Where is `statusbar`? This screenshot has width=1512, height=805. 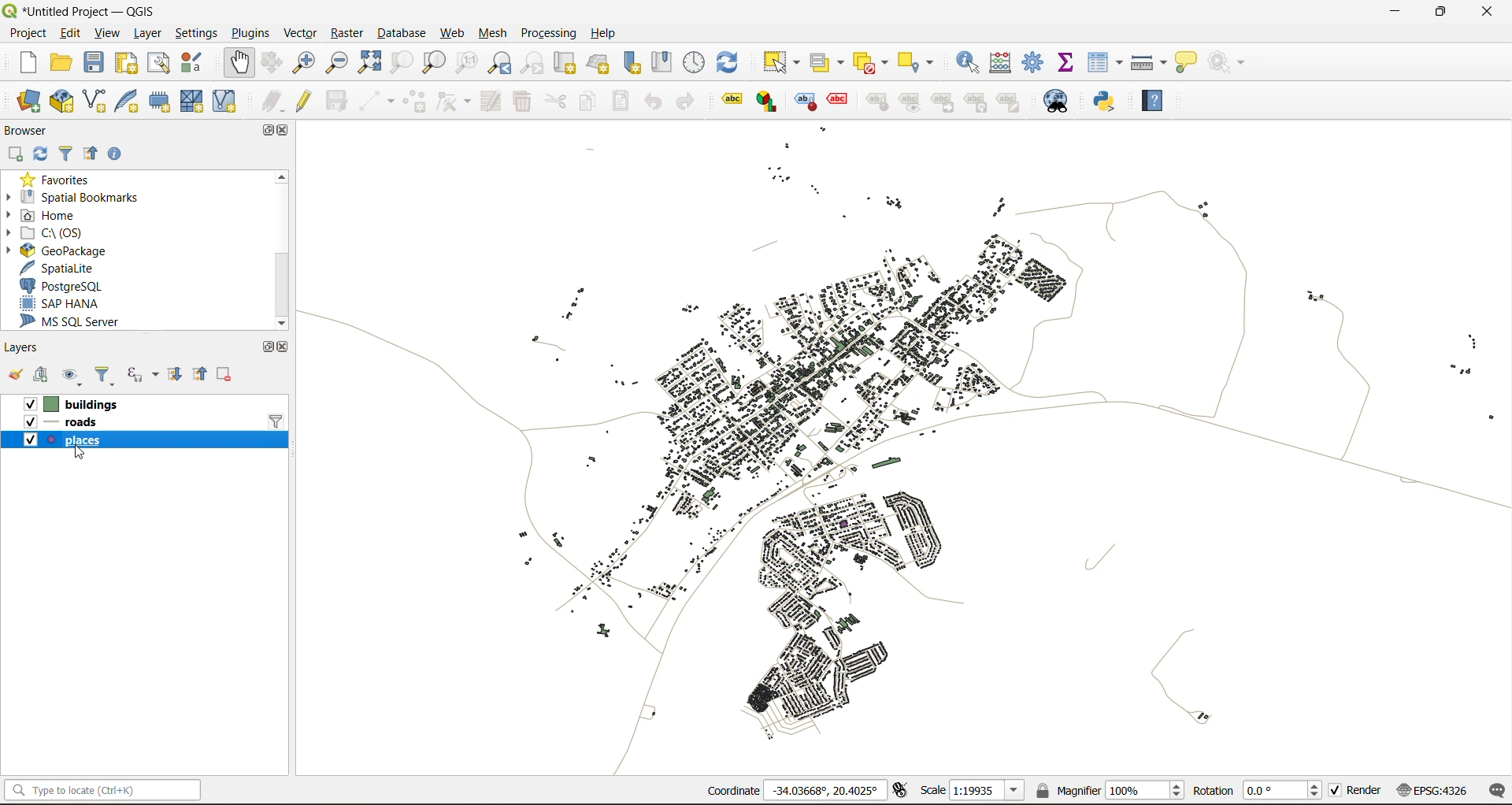 statusbar is located at coordinates (107, 789).